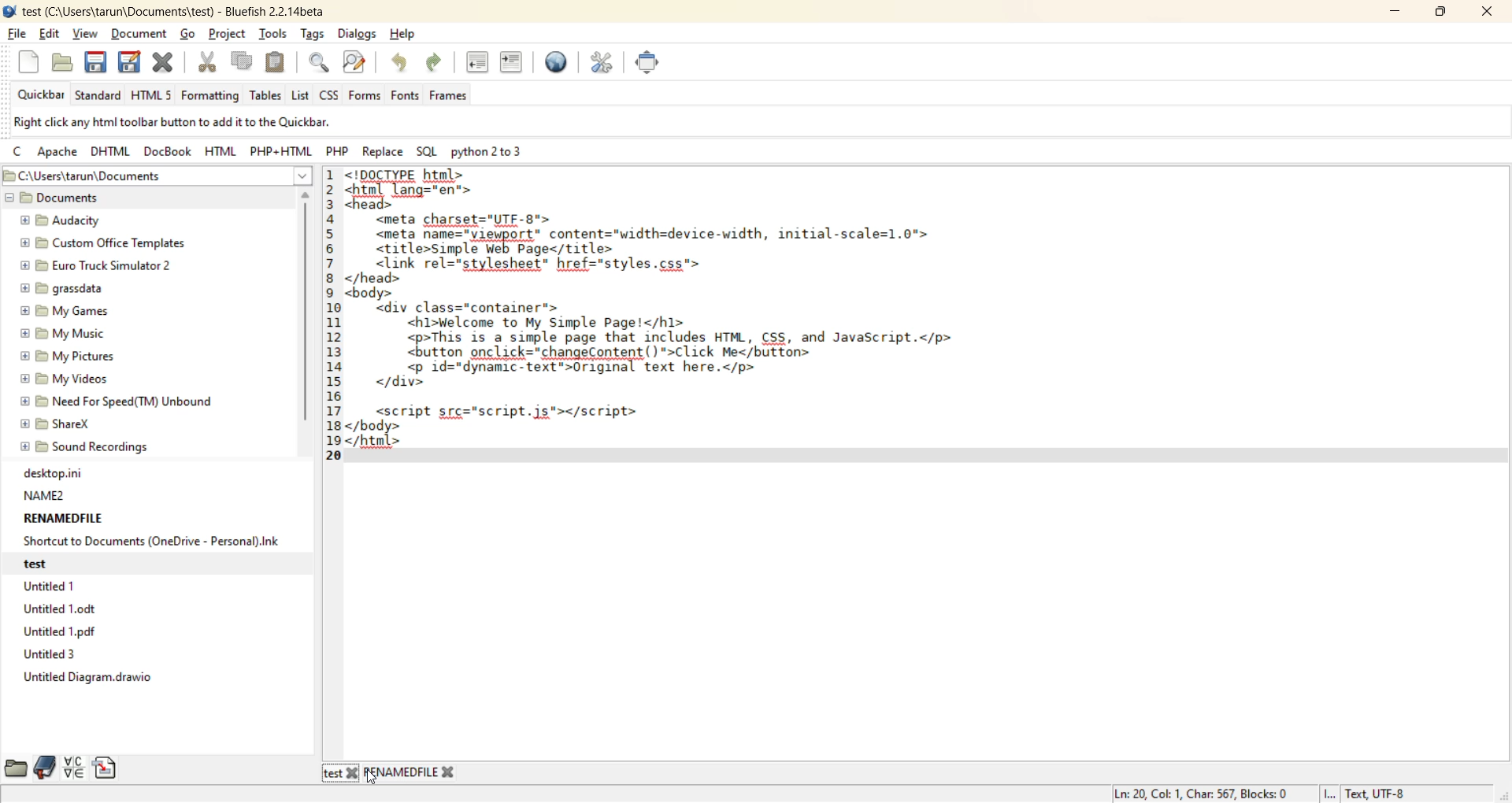  Describe the element at coordinates (19, 153) in the screenshot. I see `c` at that location.